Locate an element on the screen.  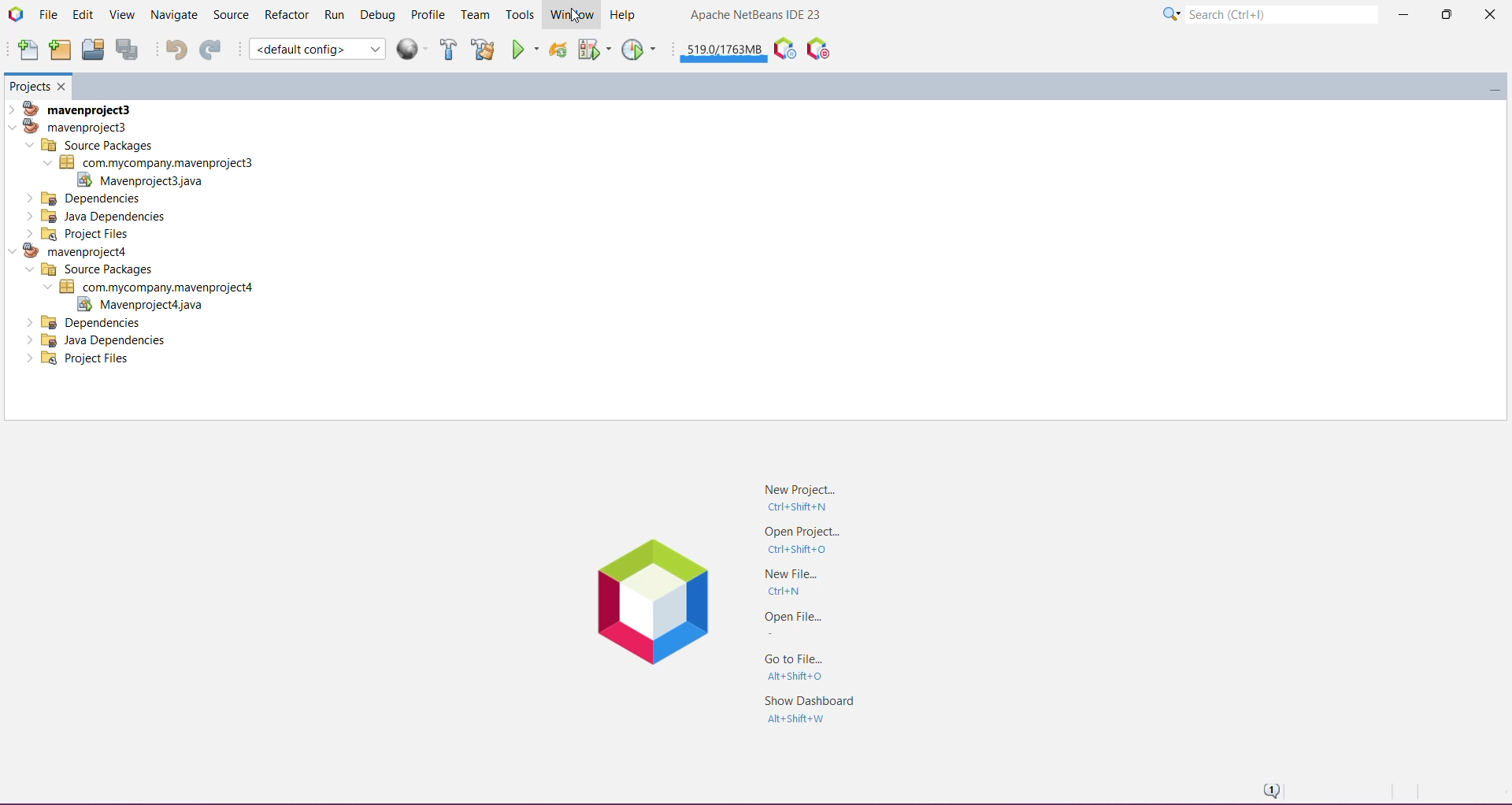
cursor is located at coordinates (573, 17).